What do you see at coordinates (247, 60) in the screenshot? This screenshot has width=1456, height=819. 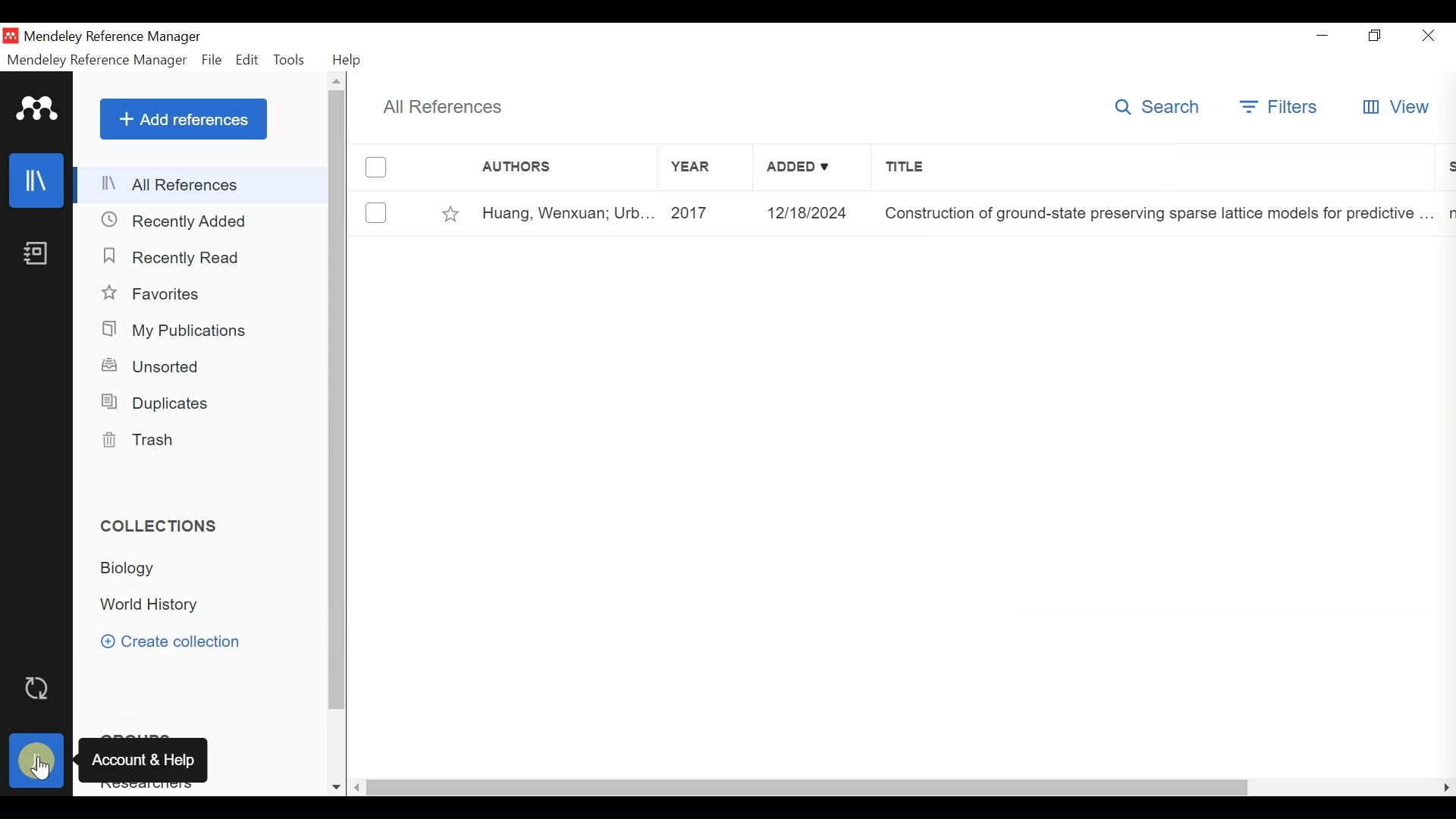 I see `Edit` at bounding box center [247, 60].